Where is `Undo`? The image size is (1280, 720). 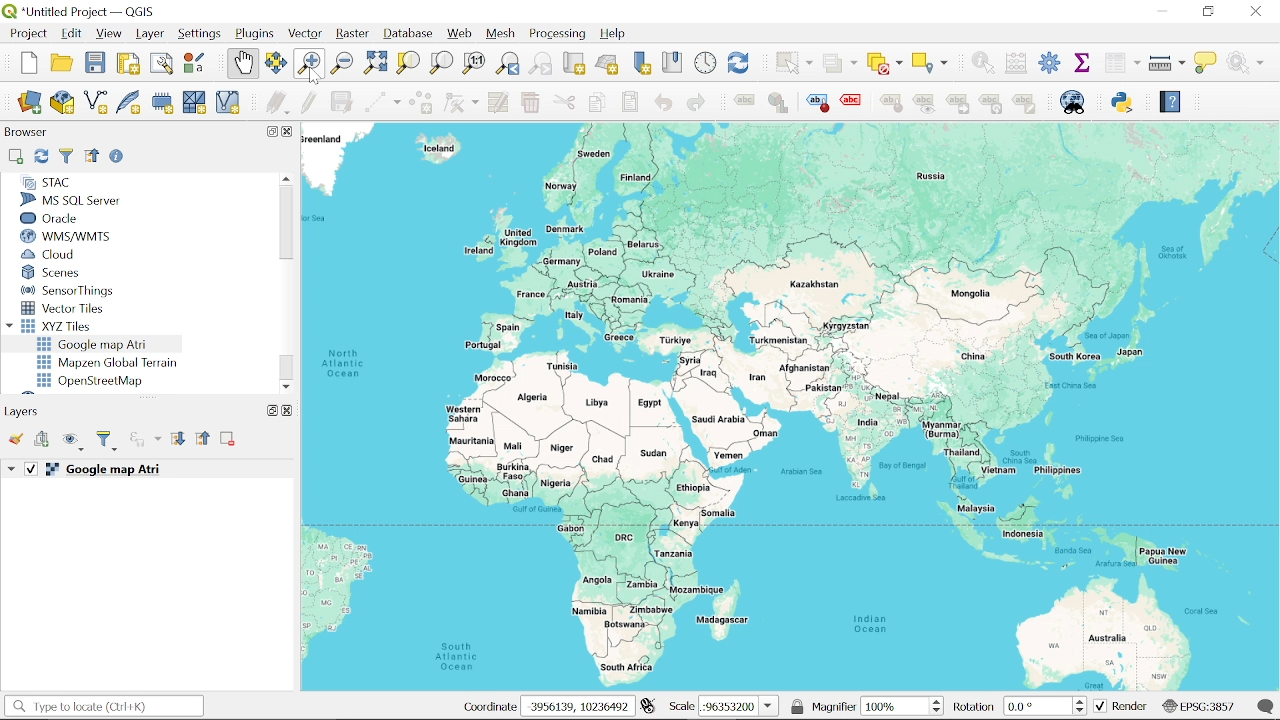
Undo is located at coordinates (663, 103).